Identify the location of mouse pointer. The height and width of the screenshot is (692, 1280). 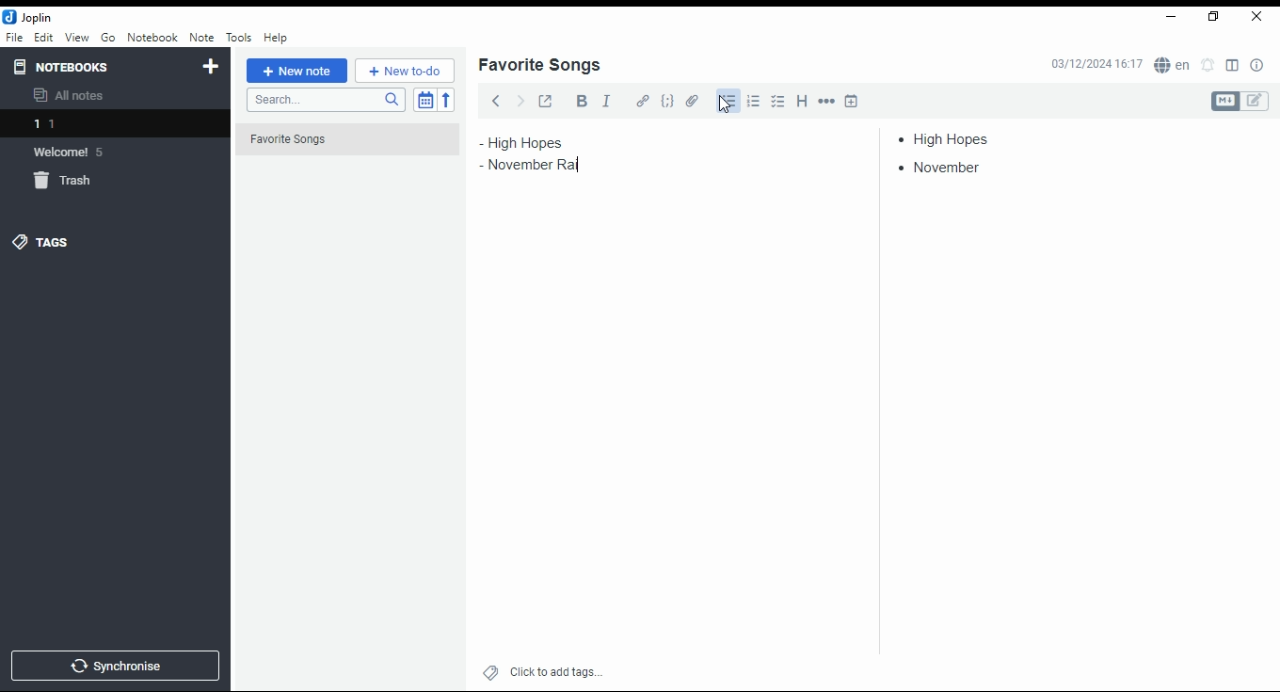
(725, 104).